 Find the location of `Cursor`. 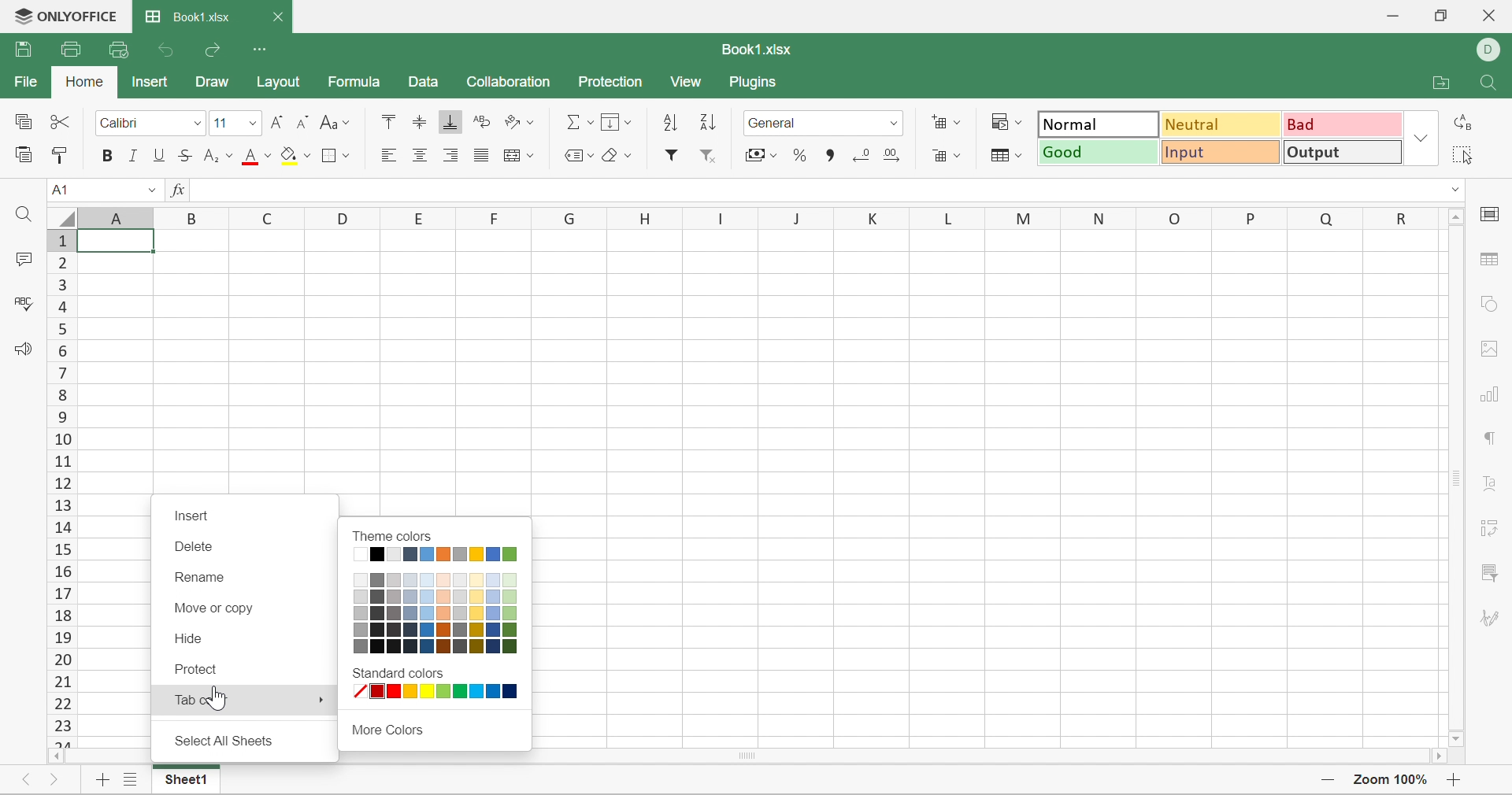

Cursor is located at coordinates (223, 702).